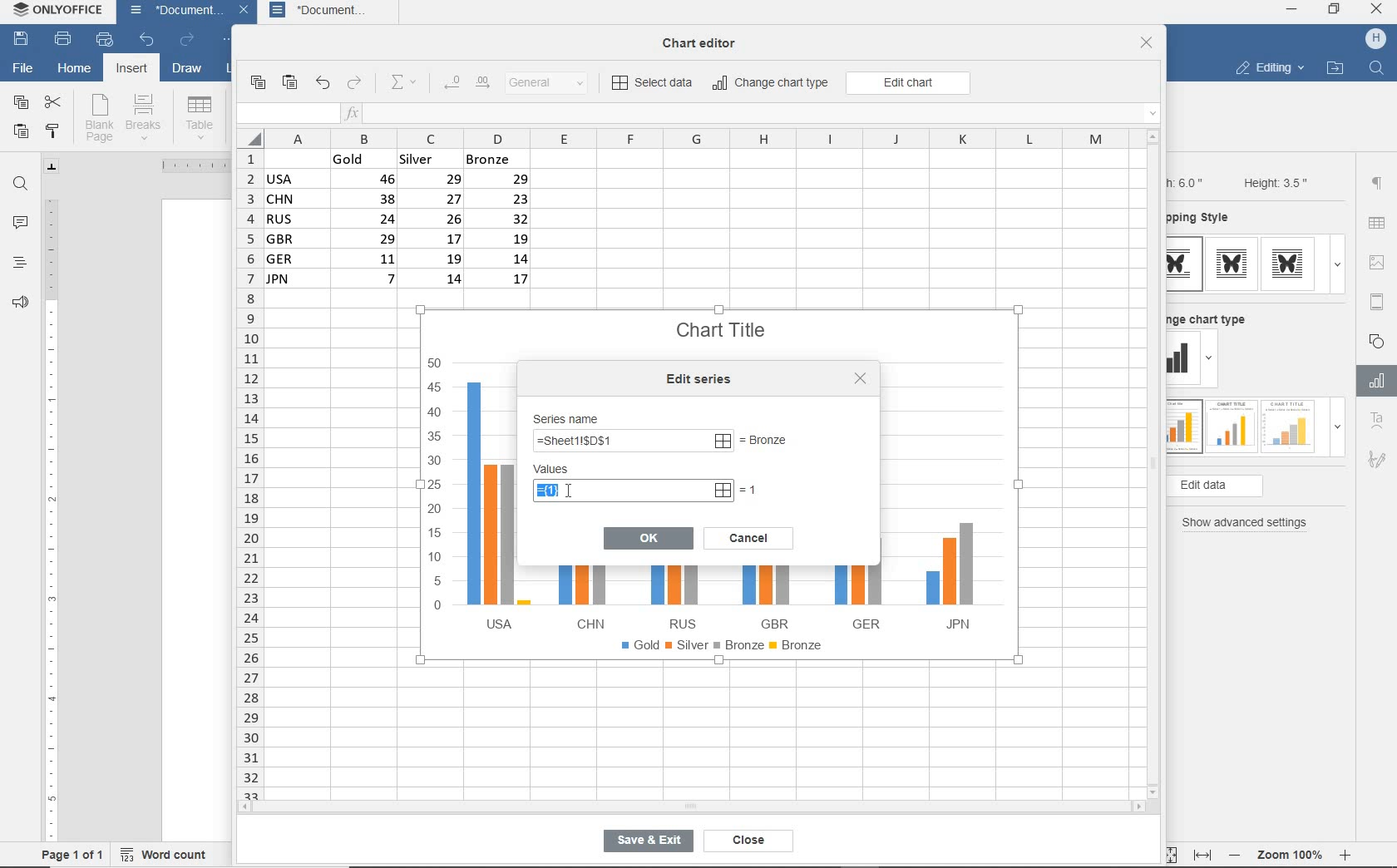  I want to click on rows, so click(248, 473).